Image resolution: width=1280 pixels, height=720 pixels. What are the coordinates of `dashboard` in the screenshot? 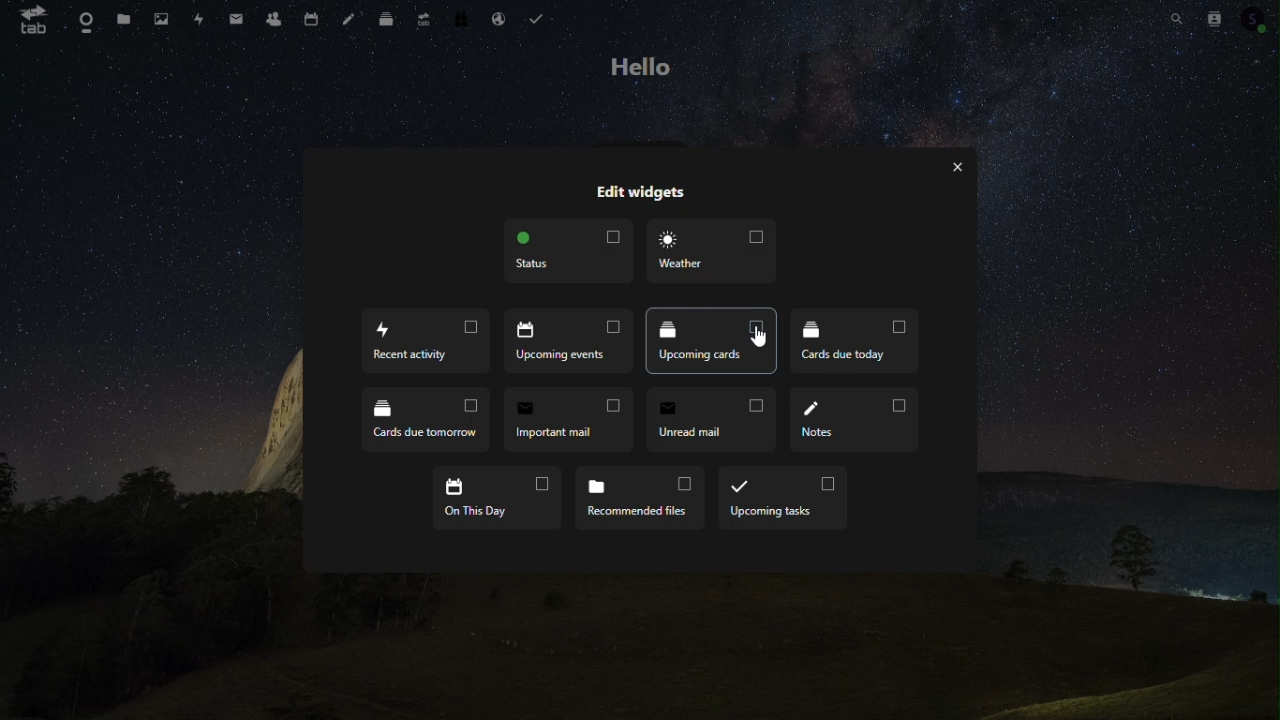 It's located at (83, 19).